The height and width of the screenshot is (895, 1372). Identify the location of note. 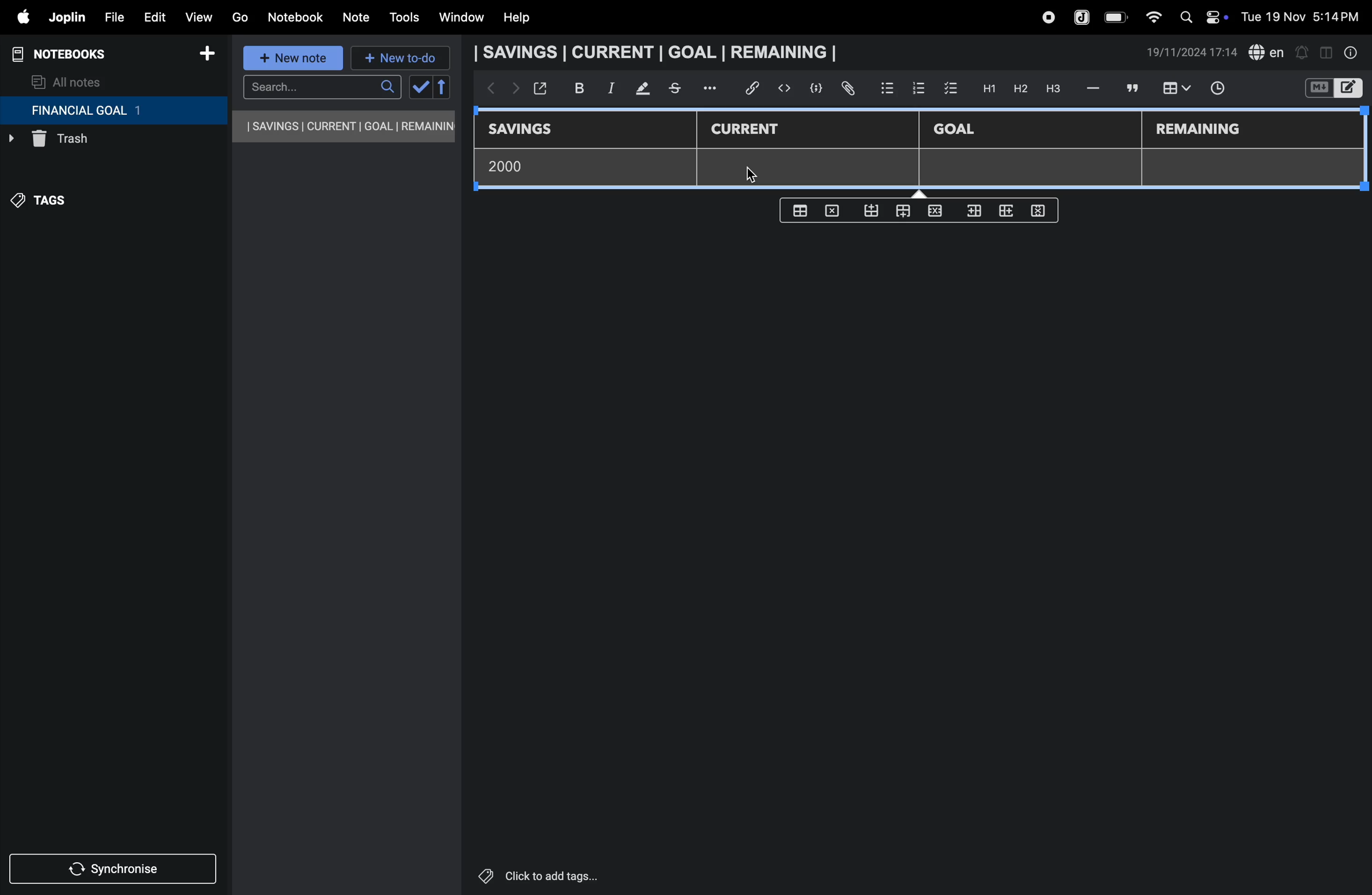
(358, 18).